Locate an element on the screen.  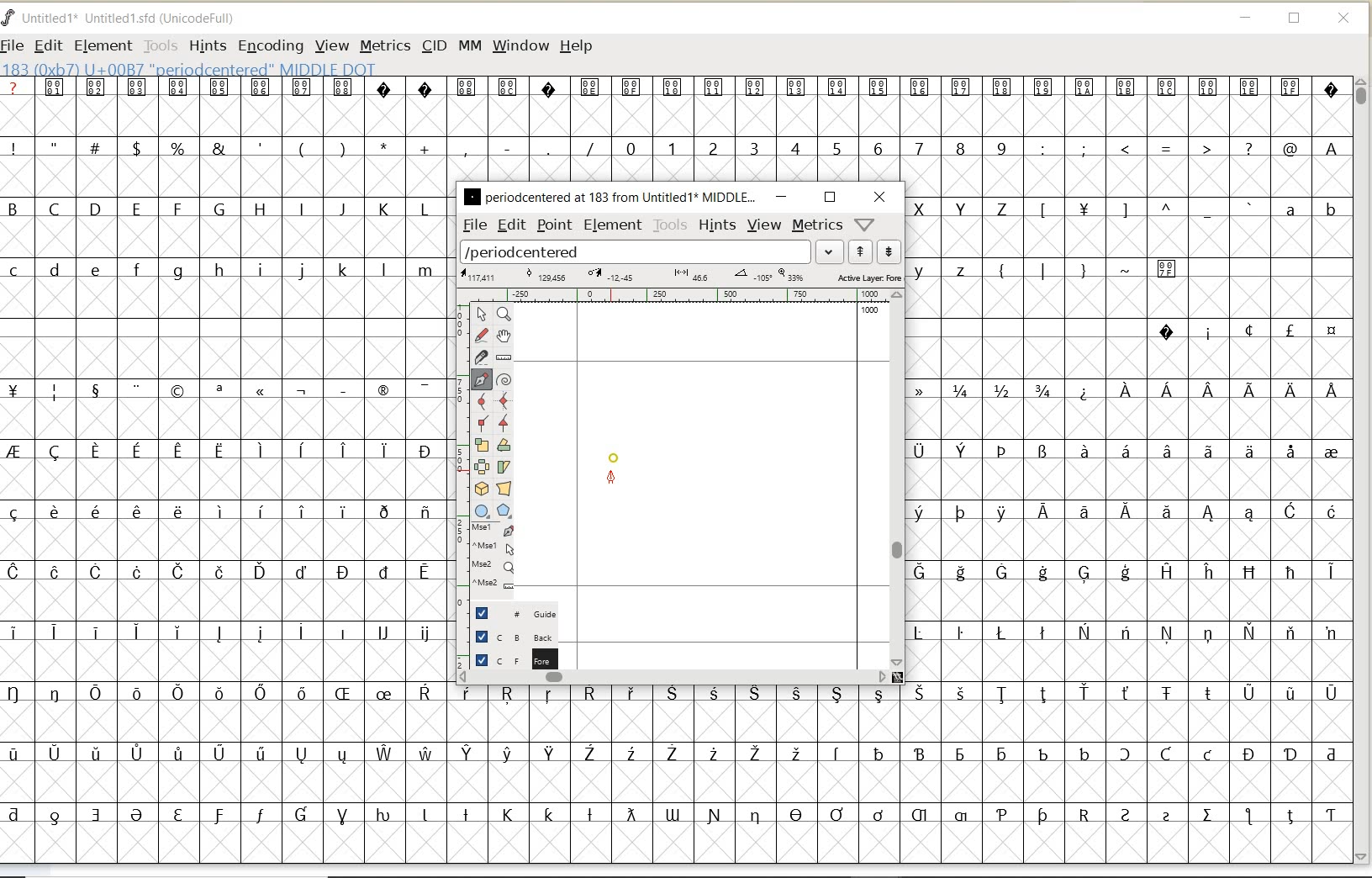
dot is located at coordinates (614, 456).